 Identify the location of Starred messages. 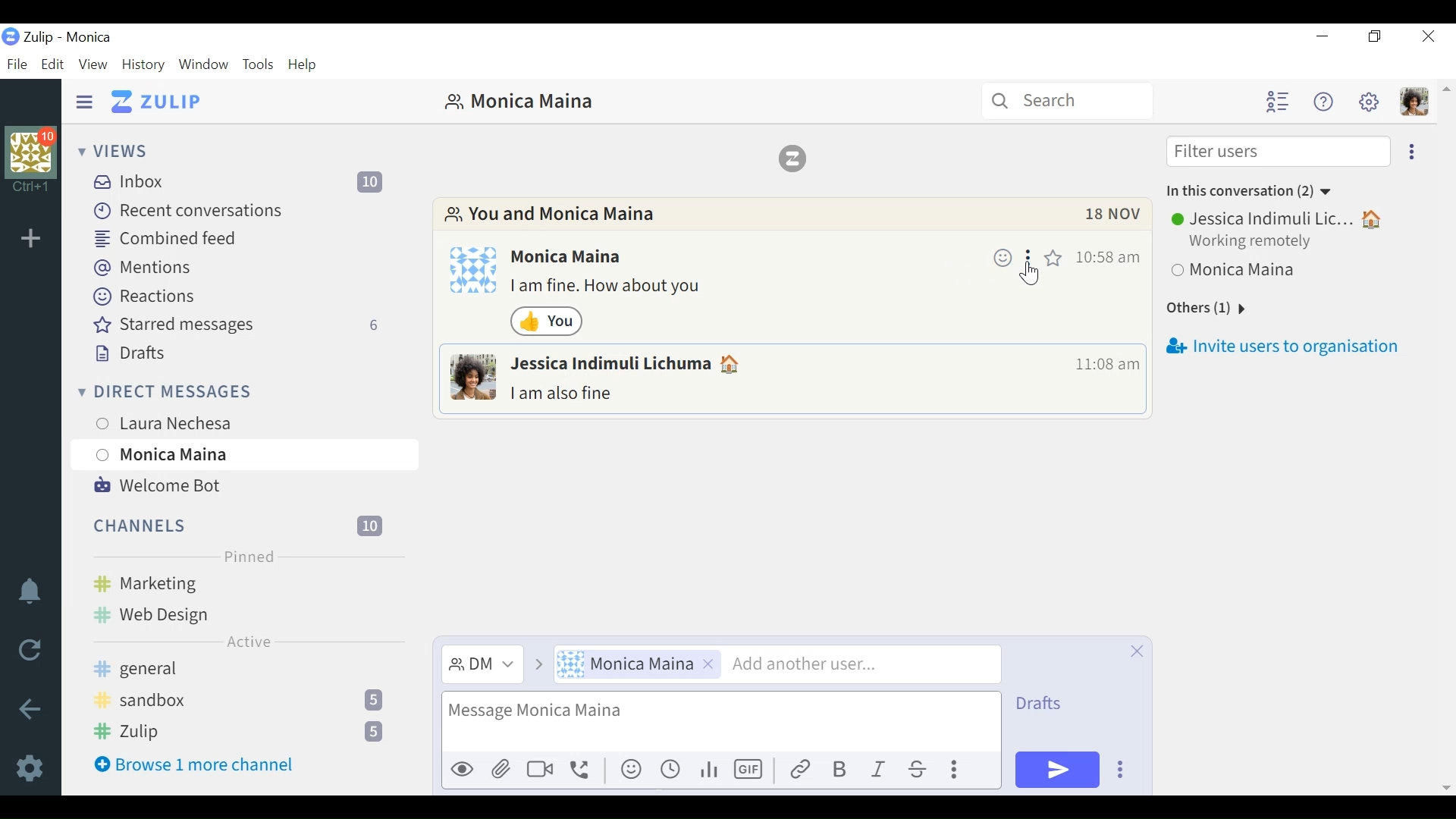
(240, 325).